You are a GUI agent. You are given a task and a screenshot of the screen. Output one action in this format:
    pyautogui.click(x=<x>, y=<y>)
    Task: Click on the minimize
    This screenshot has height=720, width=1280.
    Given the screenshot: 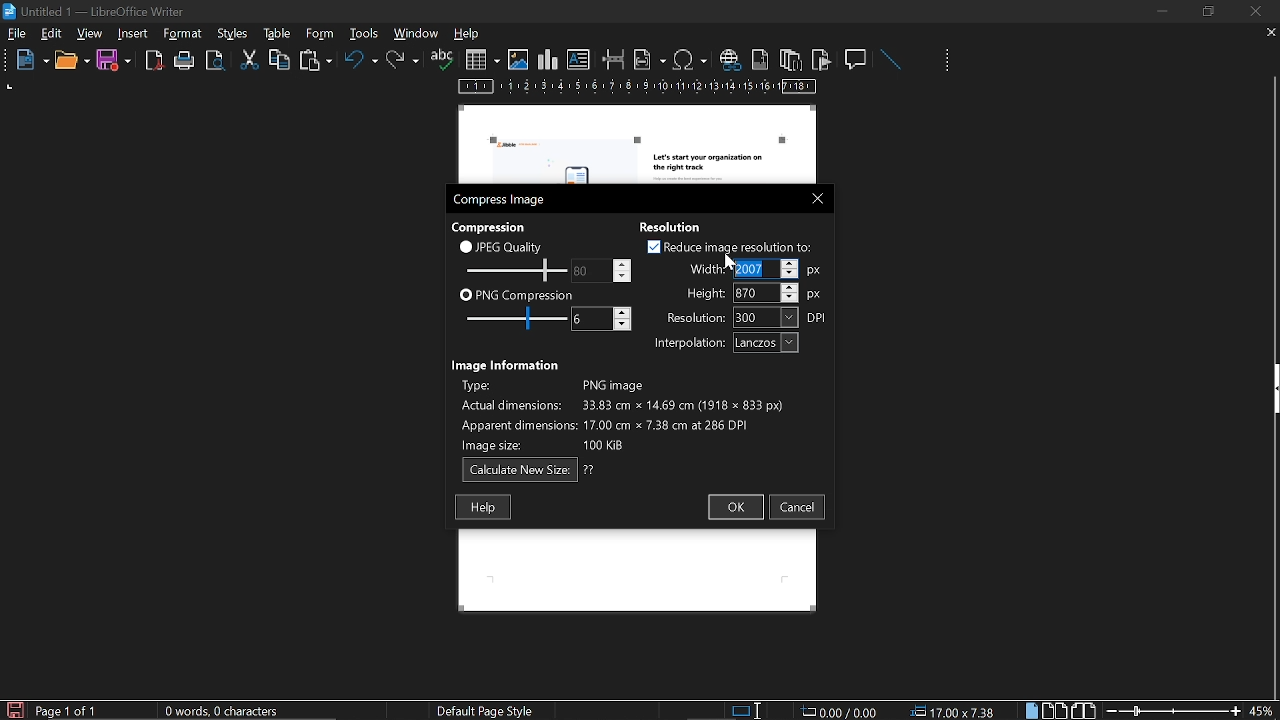 What is the action you would take?
    pyautogui.click(x=1162, y=11)
    